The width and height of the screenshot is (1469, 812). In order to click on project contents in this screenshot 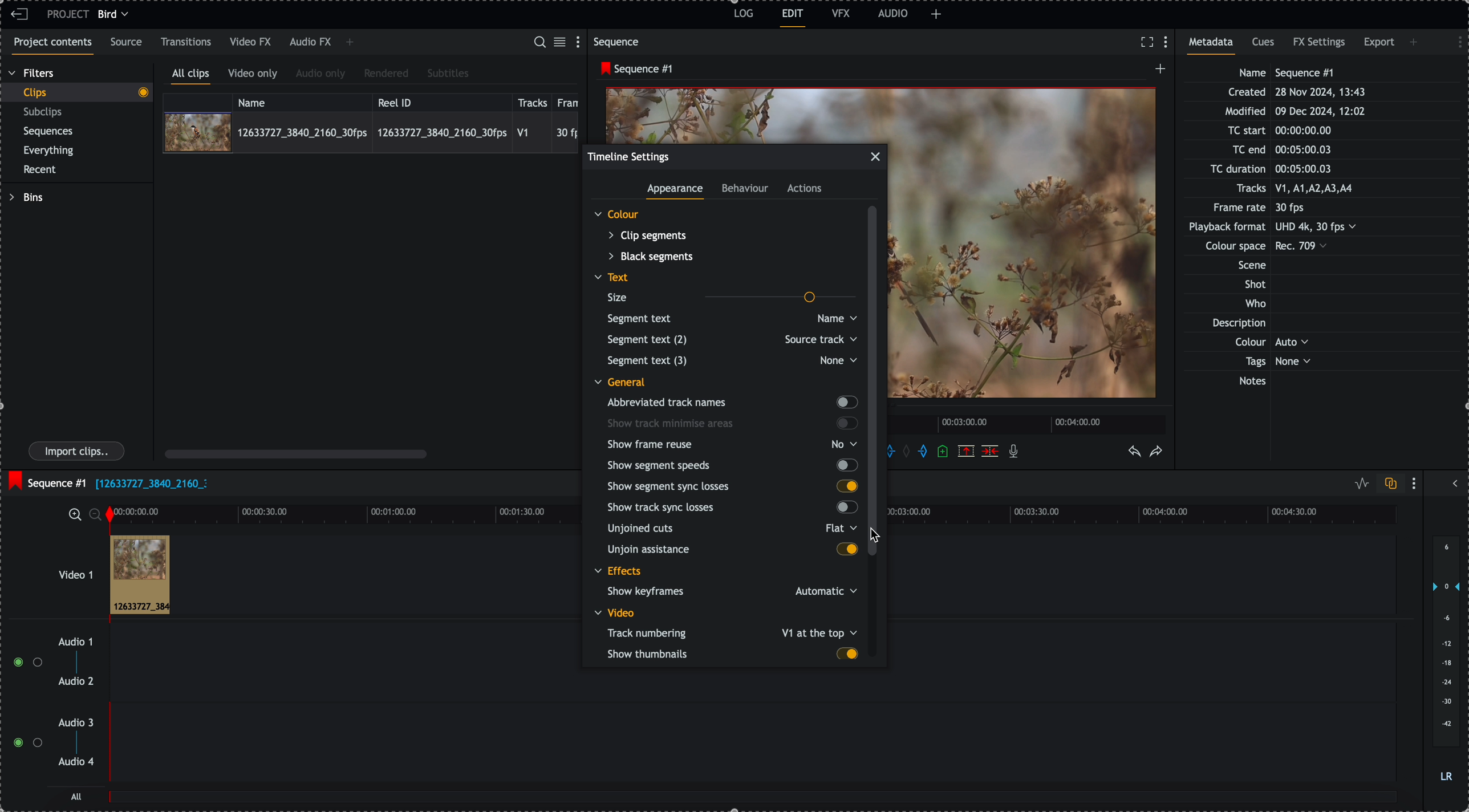, I will do `click(50, 46)`.